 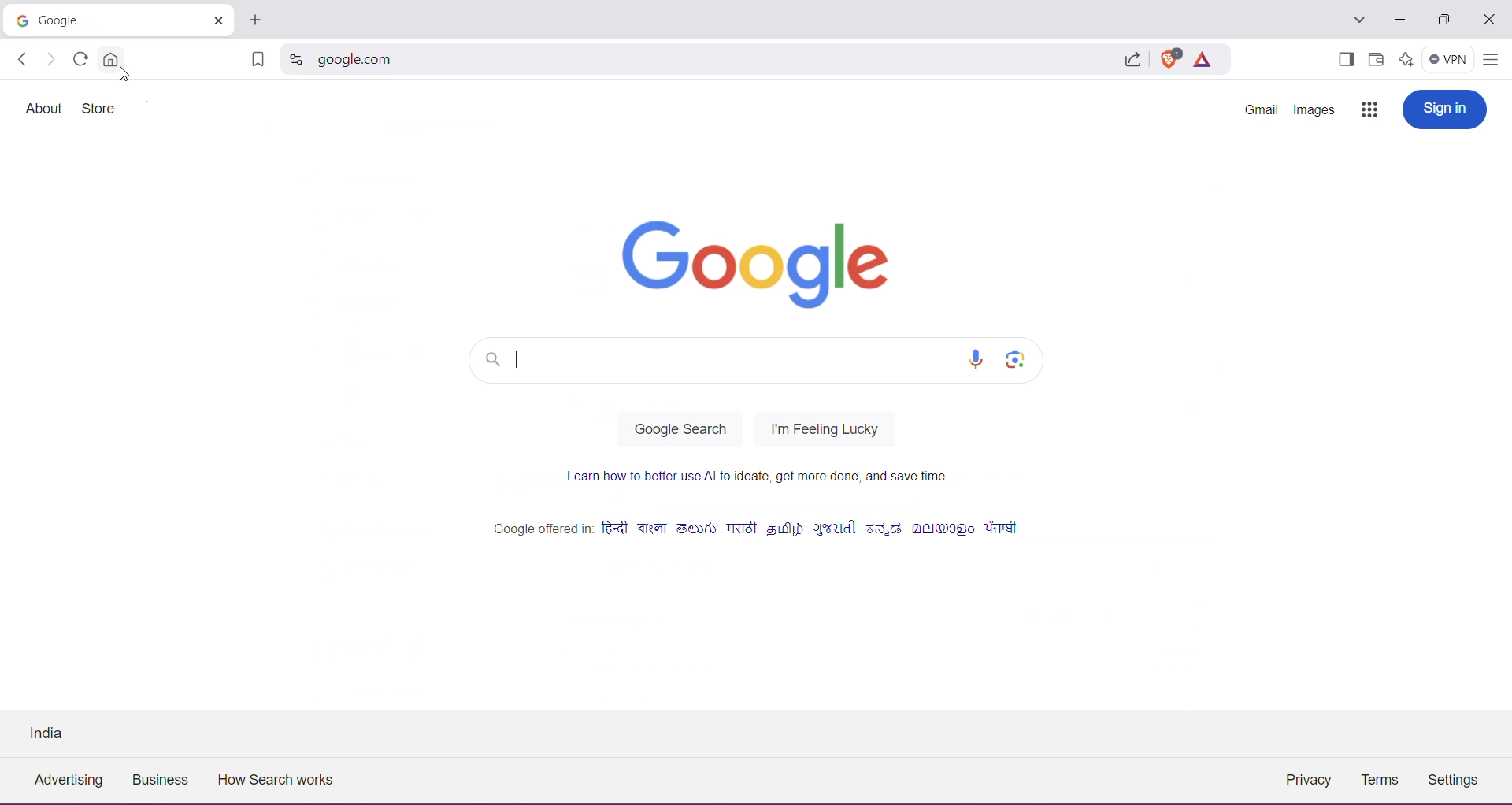 What do you see at coordinates (65, 783) in the screenshot?
I see `Advertising` at bounding box center [65, 783].